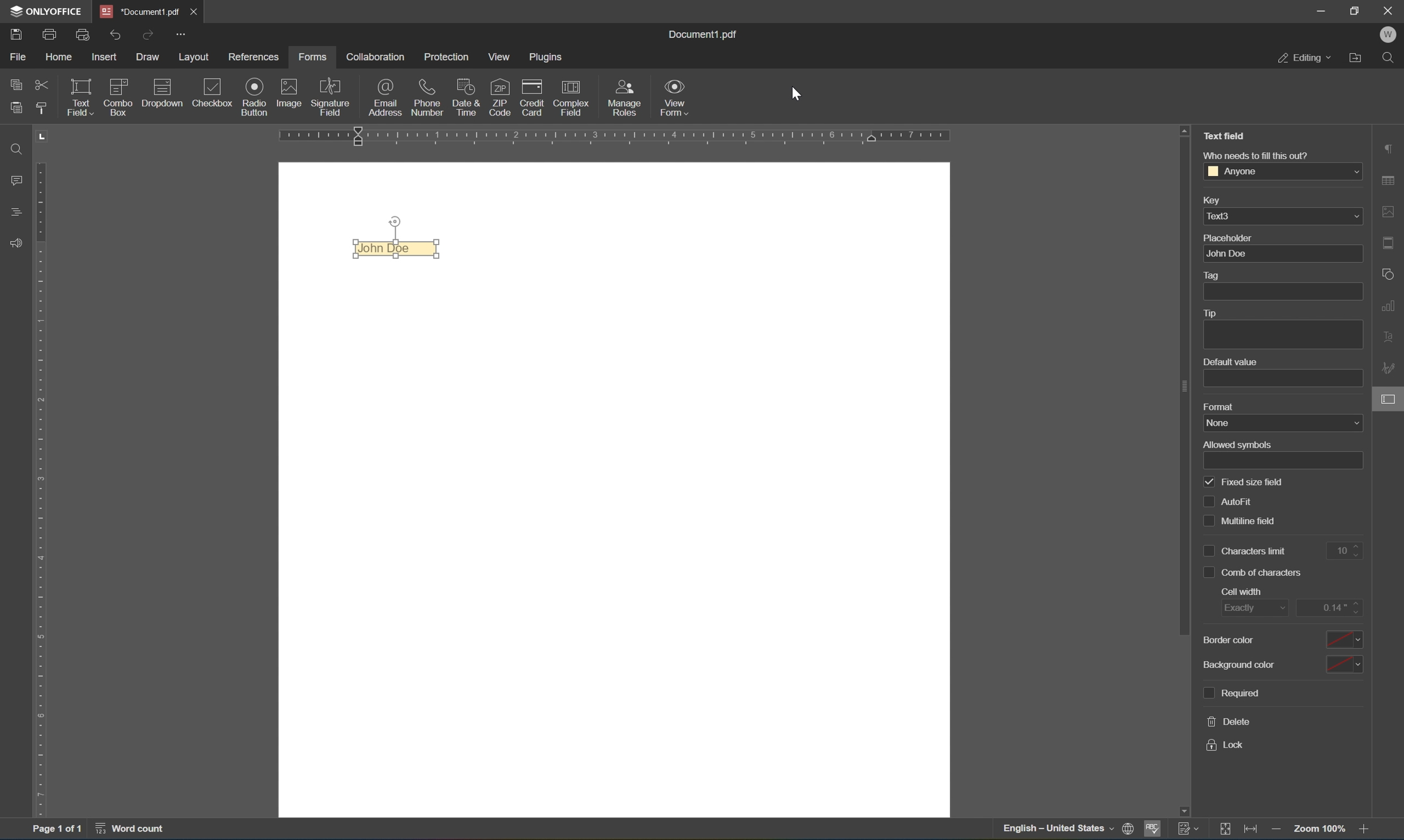 The height and width of the screenshot is (840, 1404). What do you see at coordinates (673, 96) in the screenshot?
I see `view form` at bounding box center [673, 96].